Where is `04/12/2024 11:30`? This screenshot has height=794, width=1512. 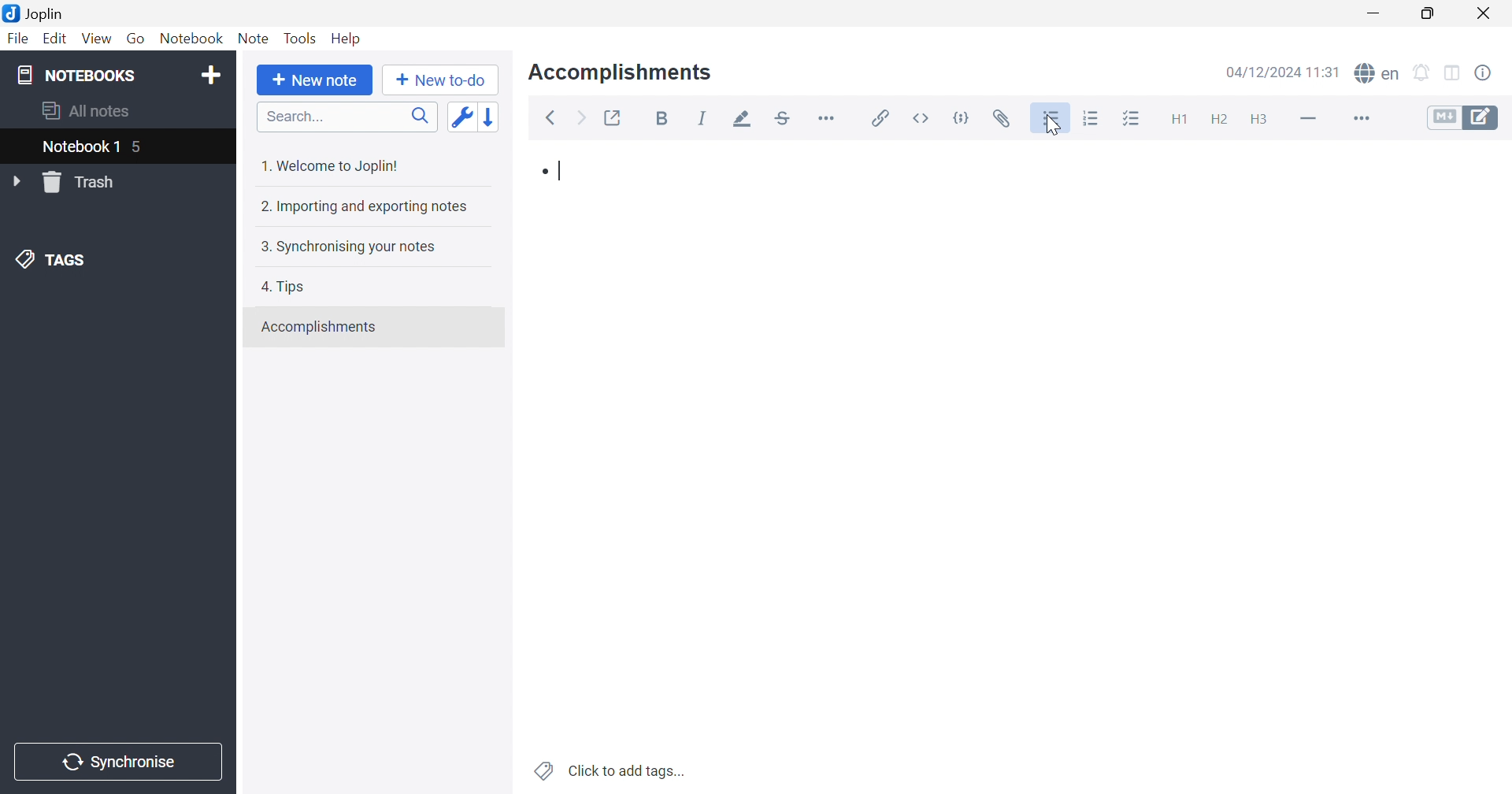
04/12/2024 11:30 is located at coordinates (1283, 71).